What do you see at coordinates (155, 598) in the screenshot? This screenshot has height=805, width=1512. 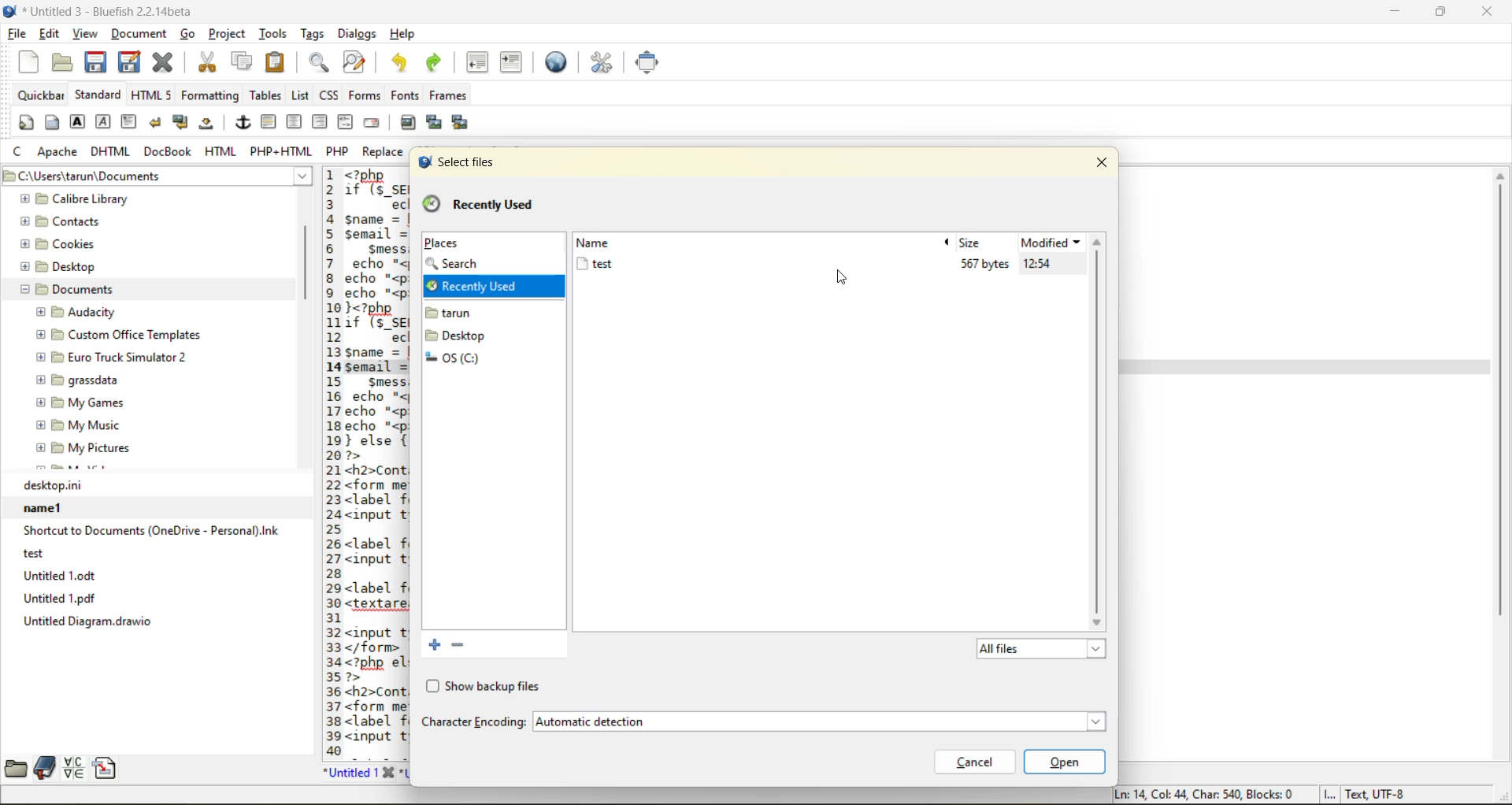 I see `Untitled 1.pdf` at bounding box center [155, 598].